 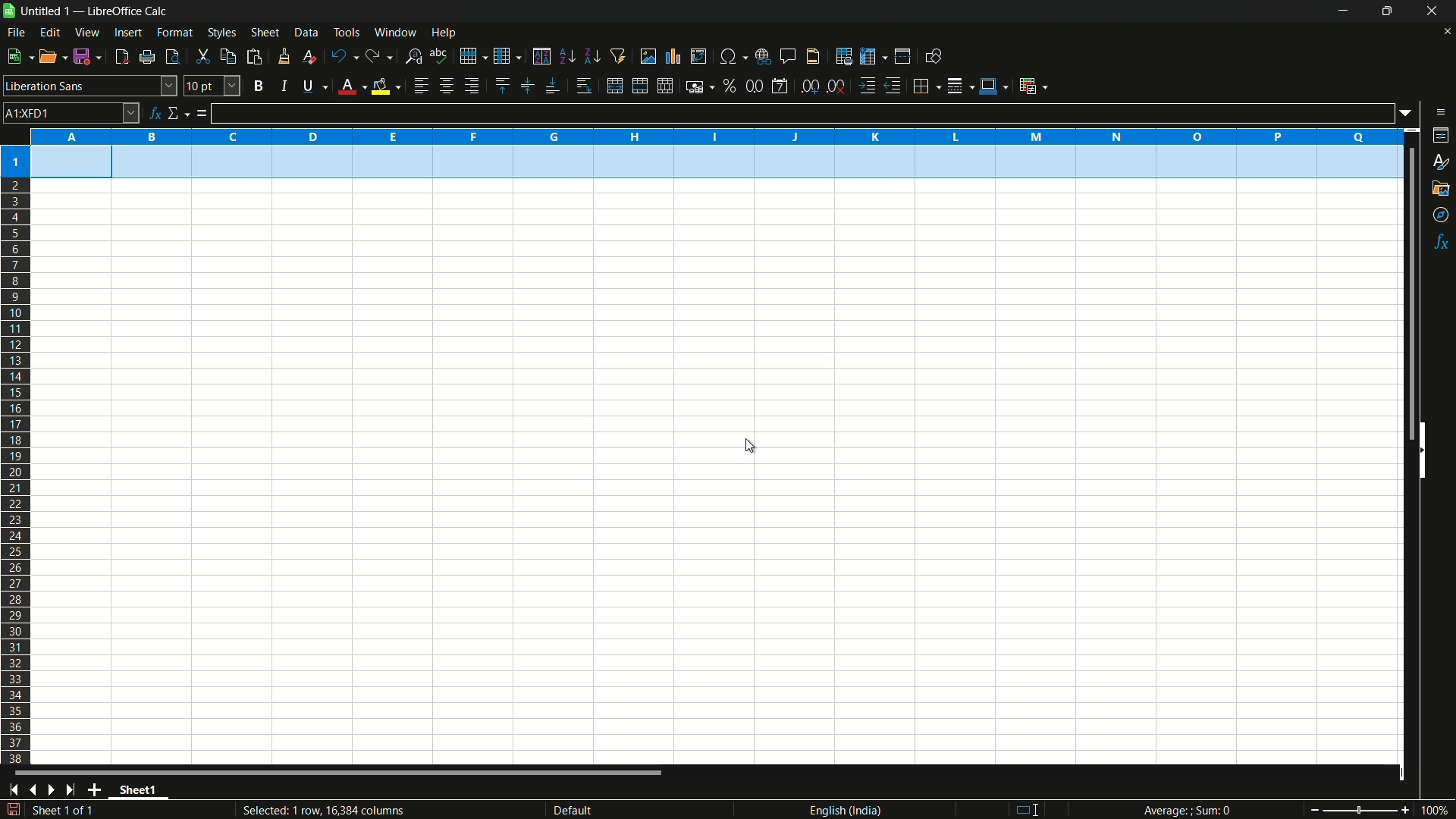 I want to click on properties, so click(x=1442, y=135).